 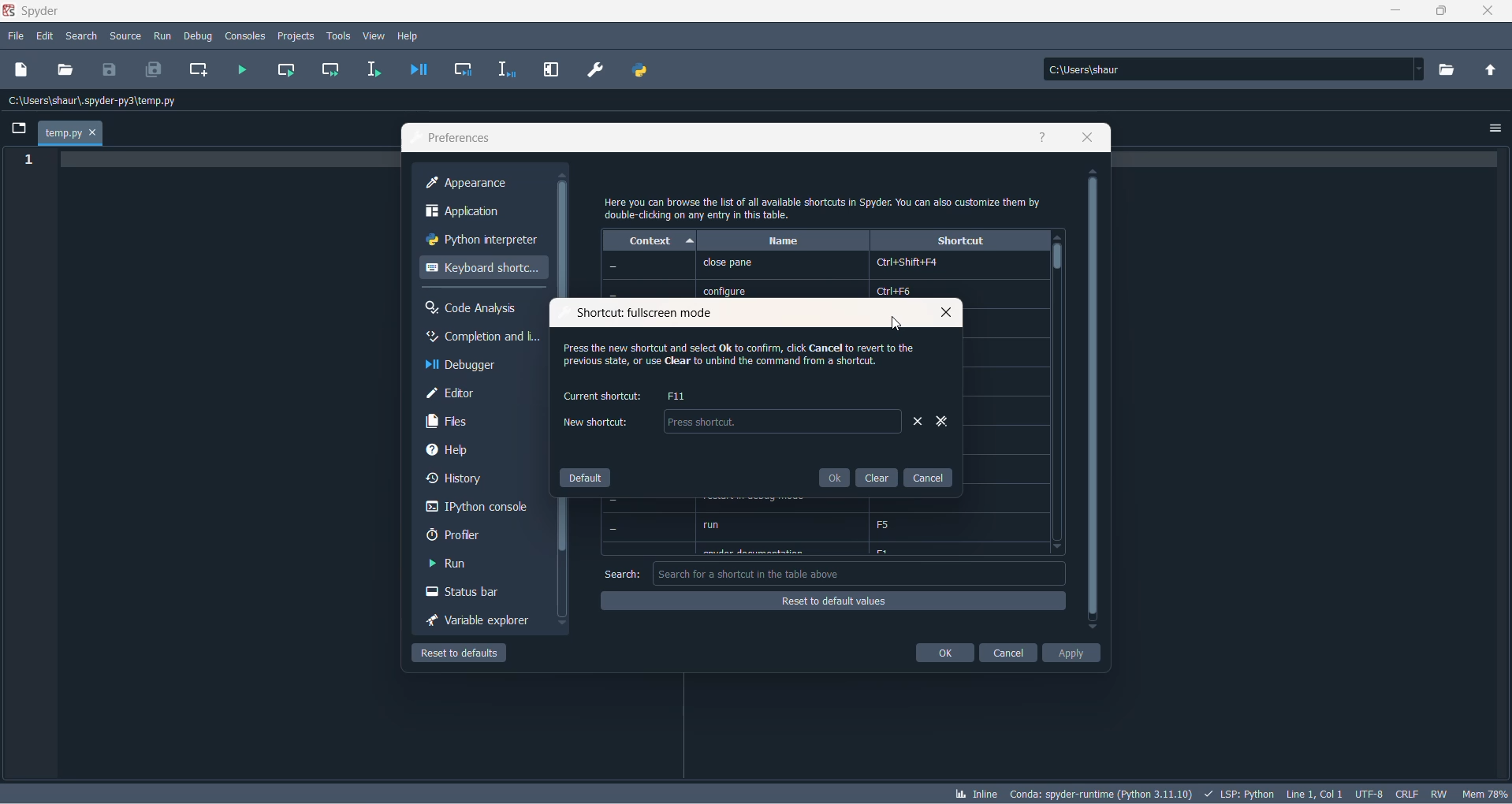 I want to click on file control, so click(x=1443, y=793).